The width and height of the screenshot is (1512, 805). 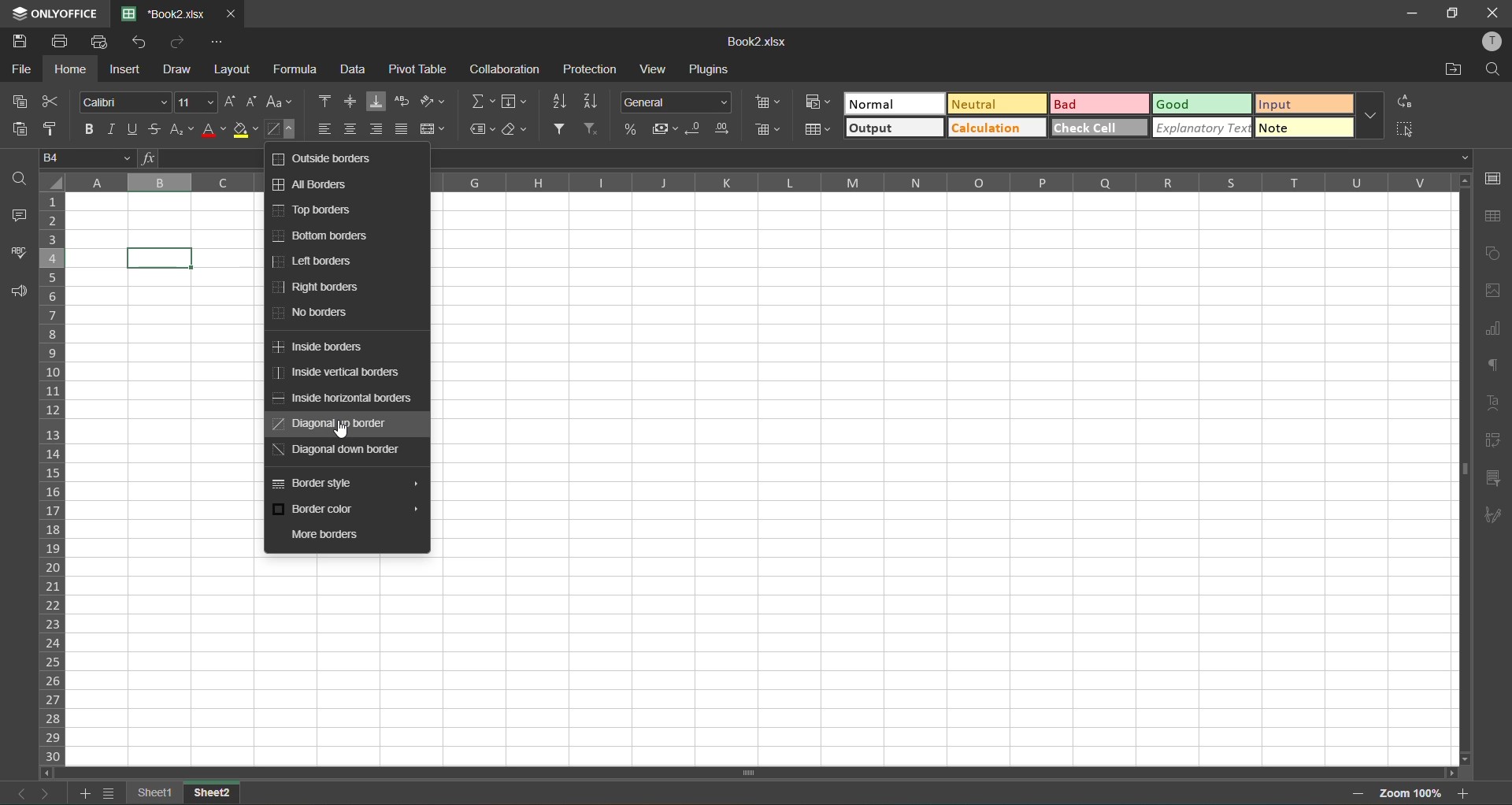 I want to click on insert, so click(x=127, y=70).